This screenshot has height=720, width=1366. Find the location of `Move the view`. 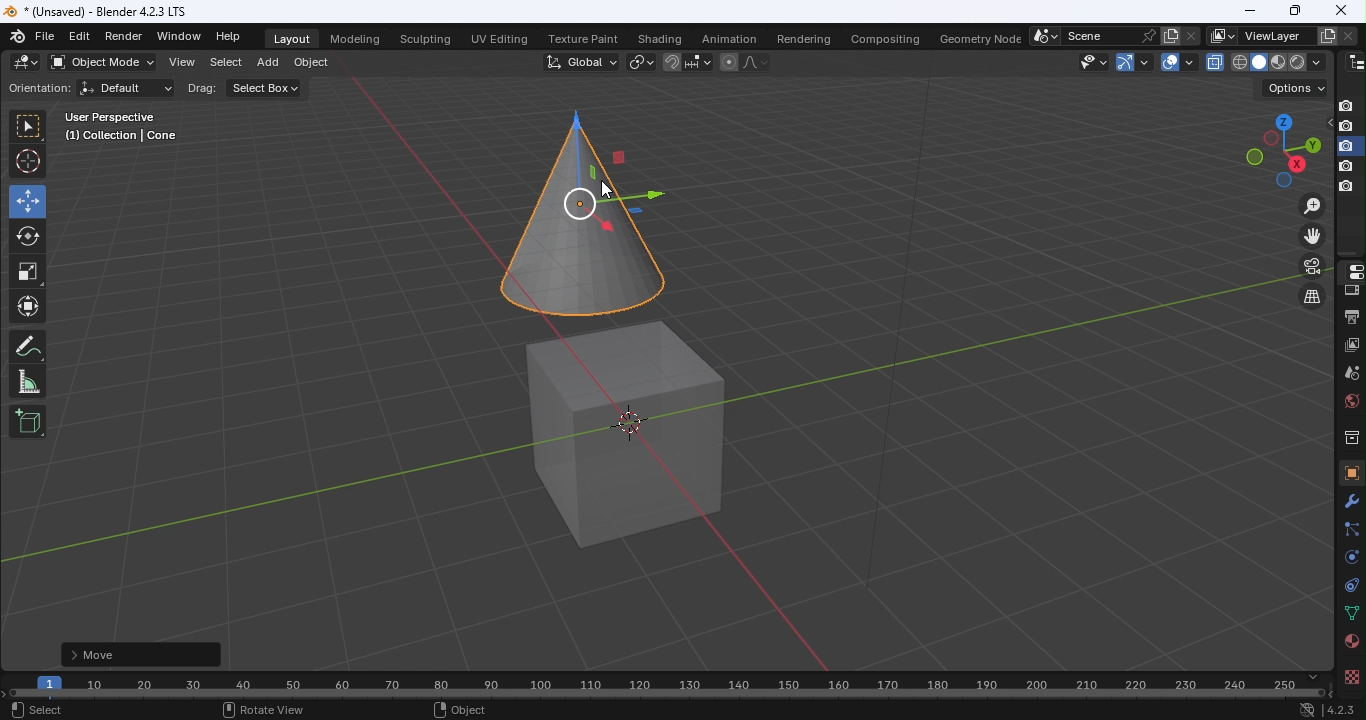

Move the view is located at coordinates (1313, 236).